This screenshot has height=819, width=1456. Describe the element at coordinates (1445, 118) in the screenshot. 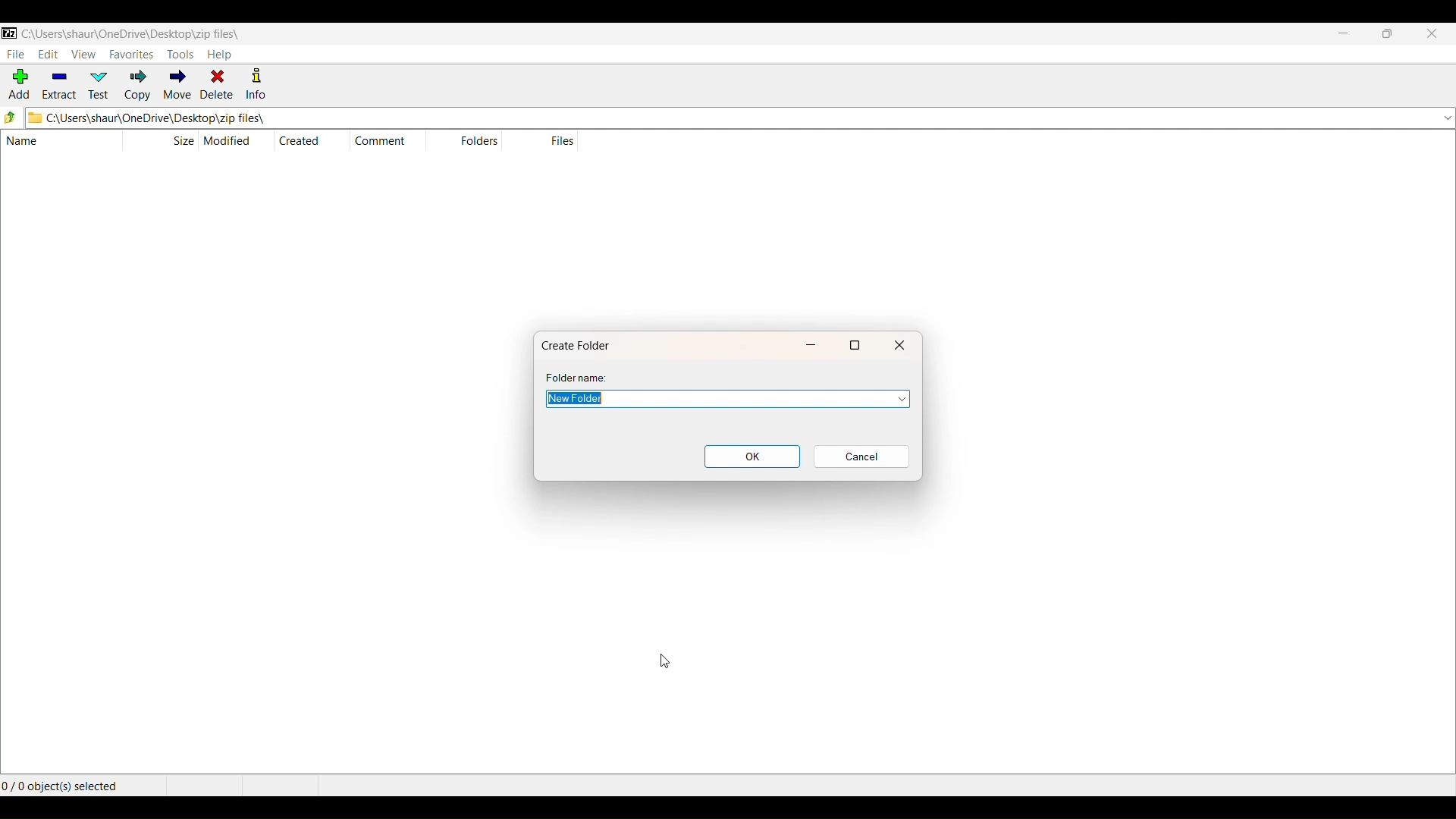

I see `AVAILABLE FOLDERS` at that location.